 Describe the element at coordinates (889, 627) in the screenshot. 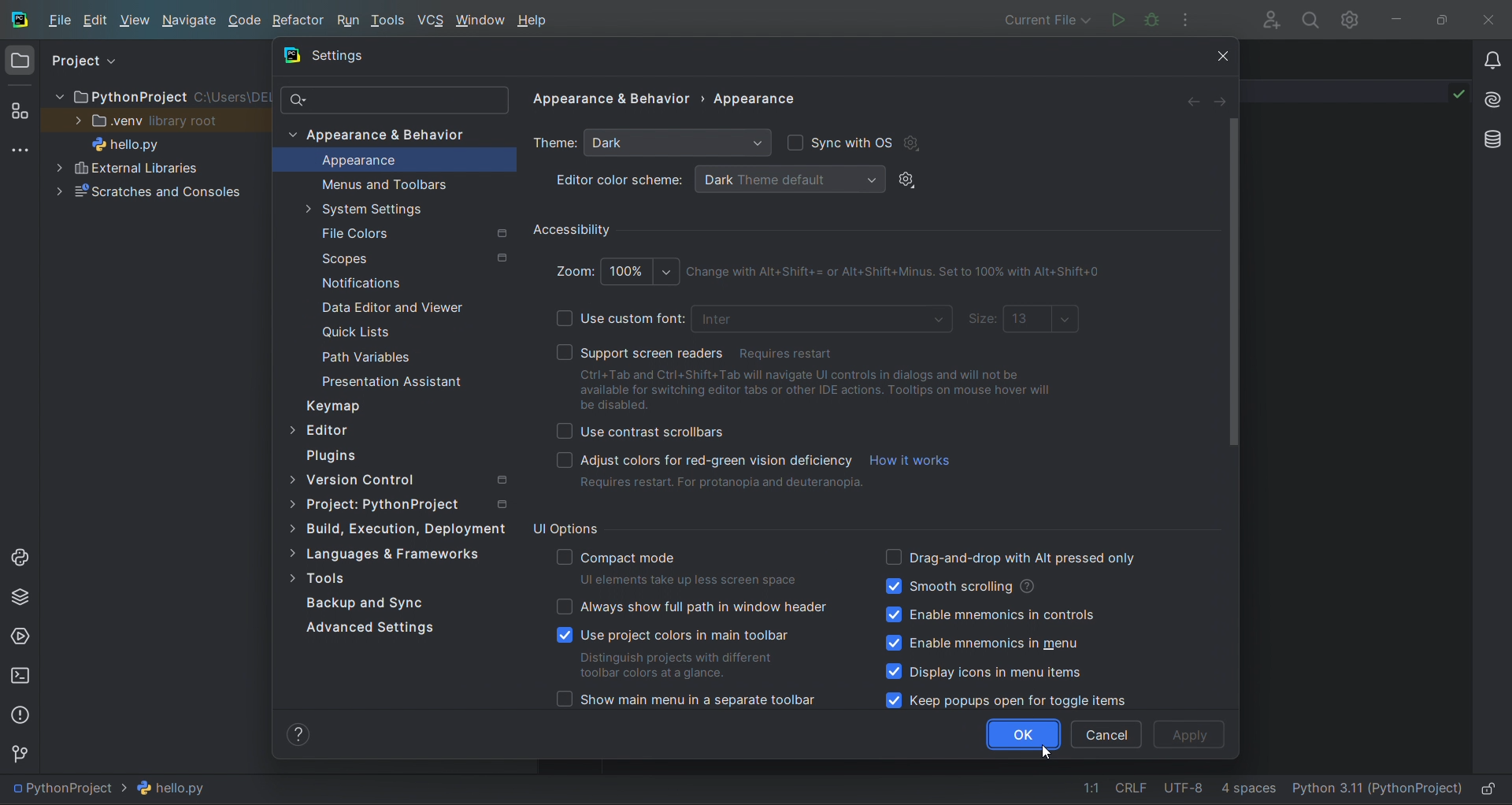

I see `checkboxes` at that location.